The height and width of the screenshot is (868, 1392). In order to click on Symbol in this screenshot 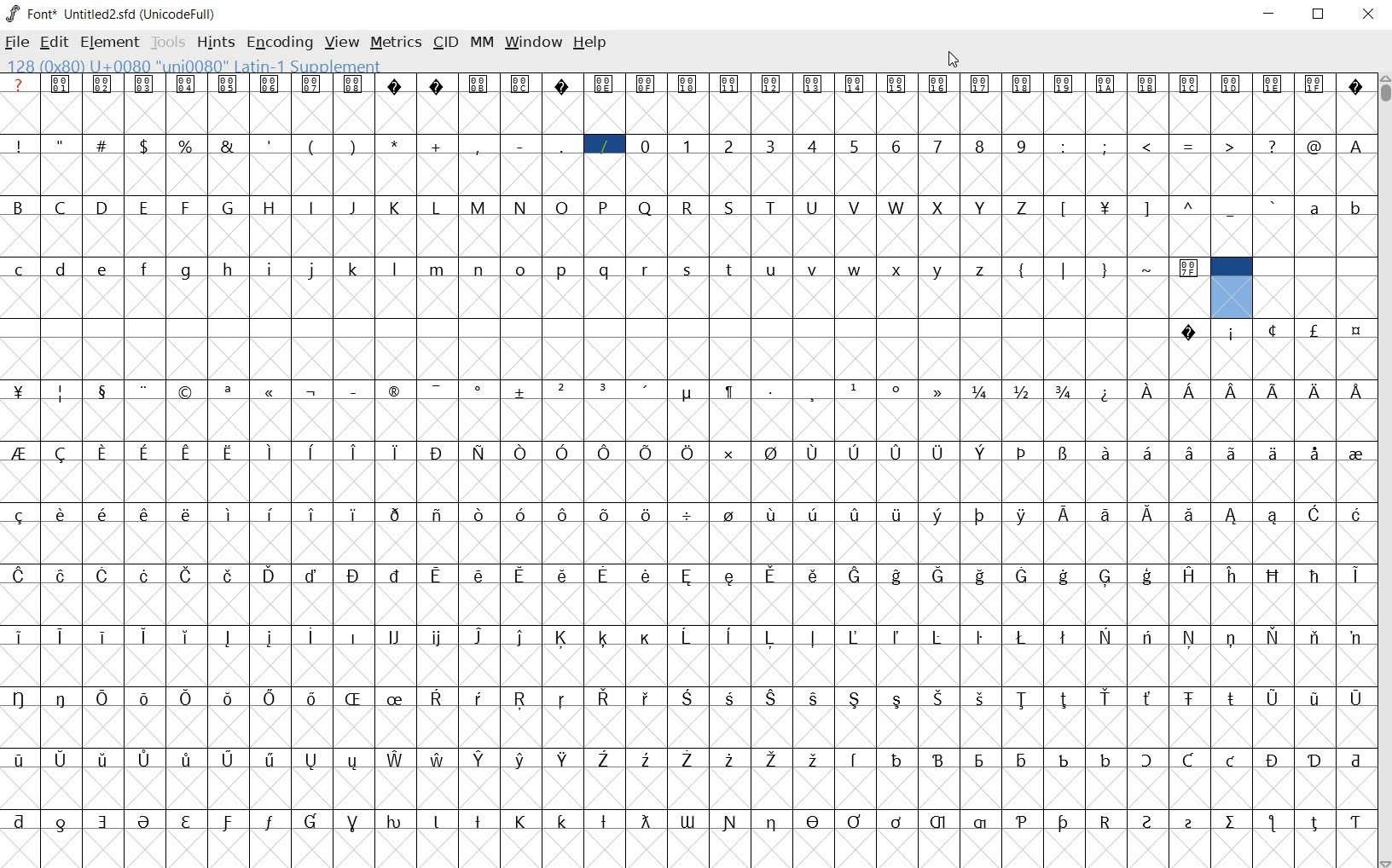, I will do `click(146, 515)`.